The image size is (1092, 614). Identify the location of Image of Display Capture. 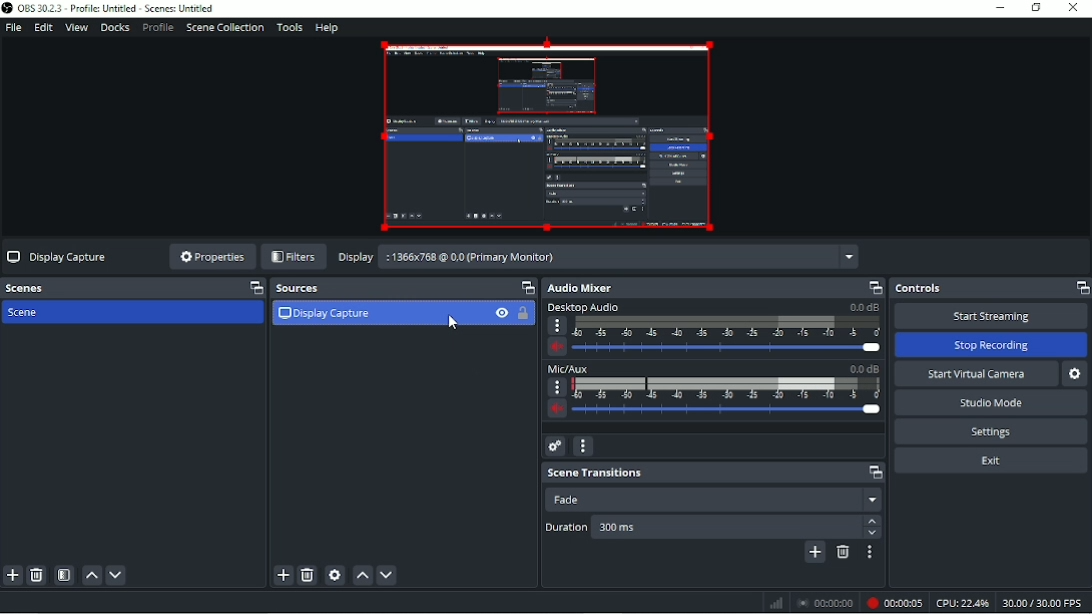
(549, 139).